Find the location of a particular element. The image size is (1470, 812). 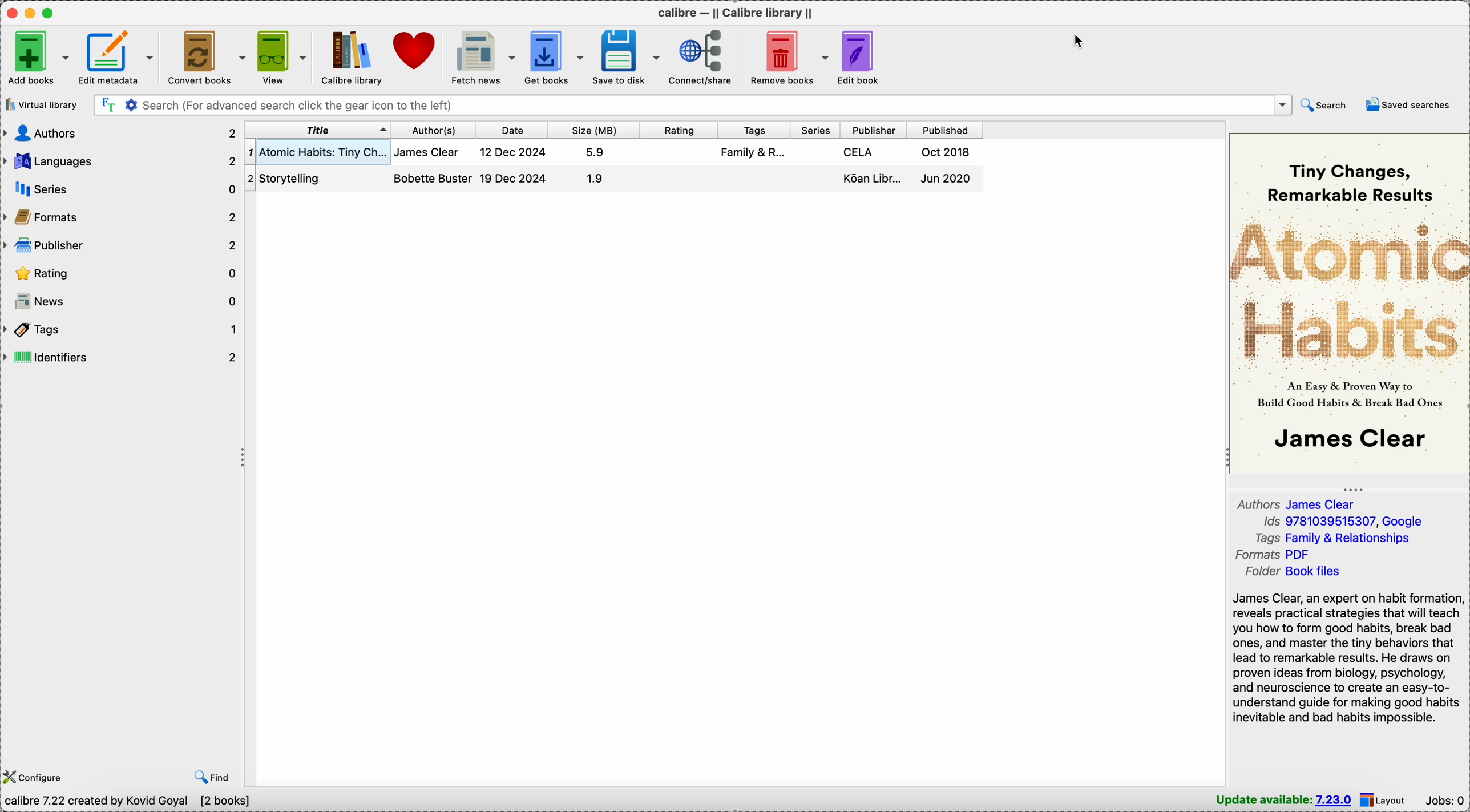

search bar is located at coordinates (693, 104).